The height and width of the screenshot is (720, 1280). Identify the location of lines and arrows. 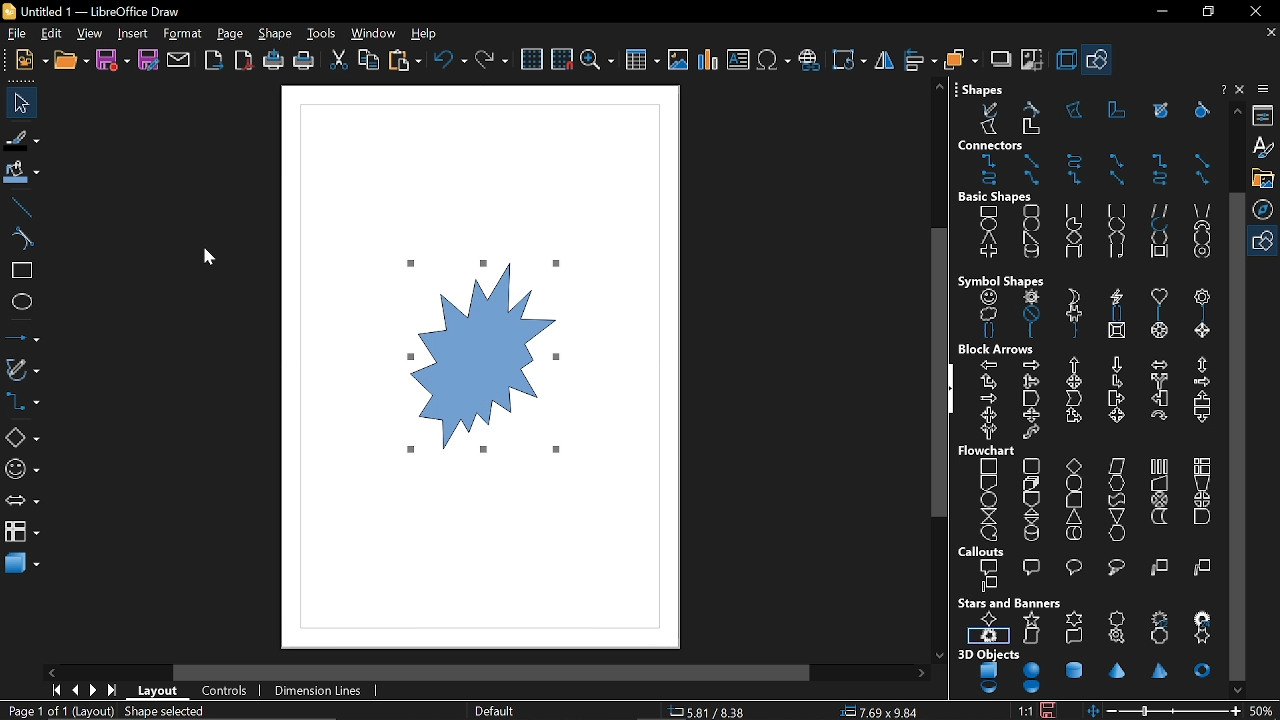
(22, 335).